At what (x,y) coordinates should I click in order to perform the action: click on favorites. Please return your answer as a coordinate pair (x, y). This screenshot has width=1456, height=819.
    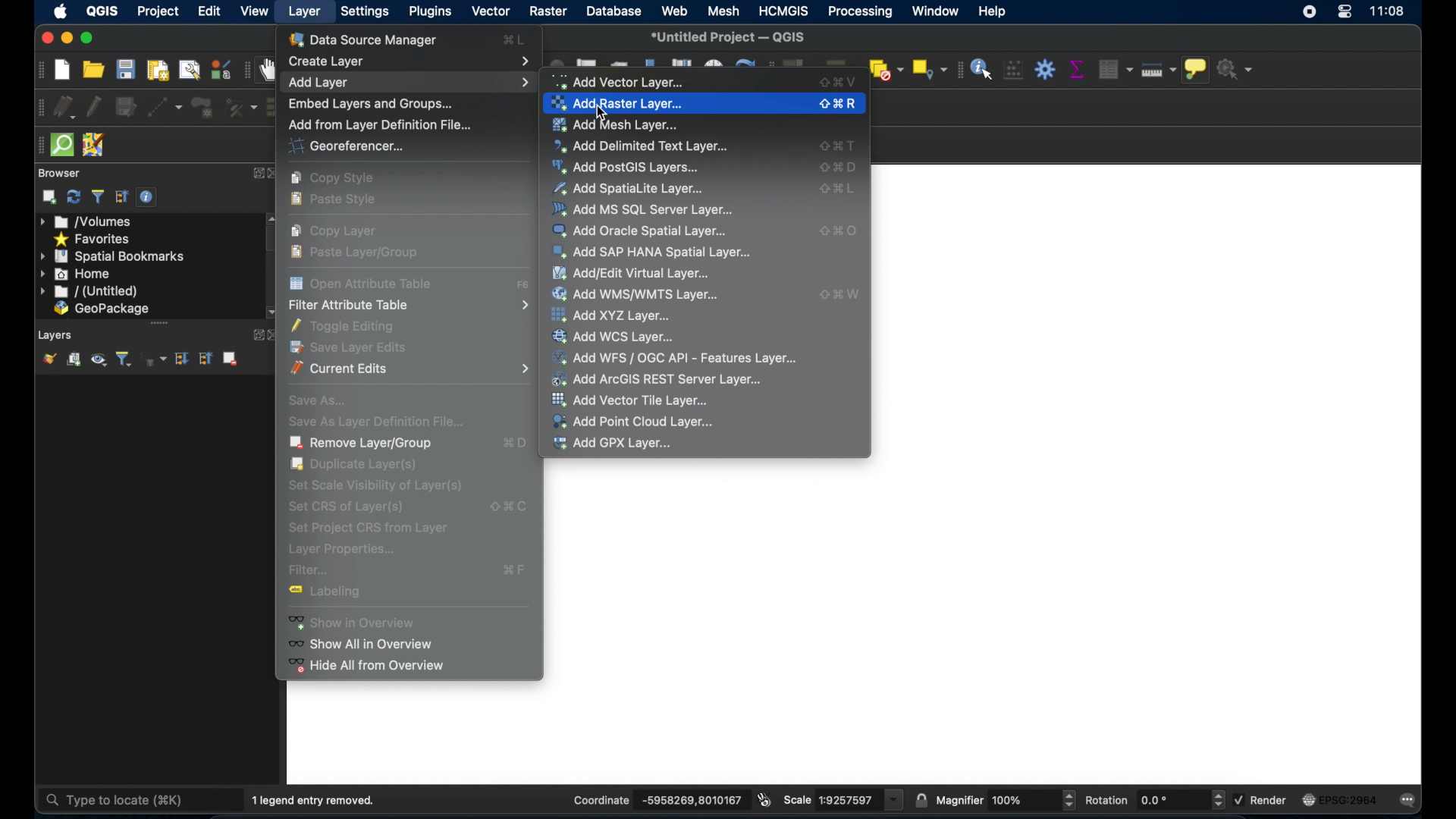
    Looking at the image, I should click on (94, 238).